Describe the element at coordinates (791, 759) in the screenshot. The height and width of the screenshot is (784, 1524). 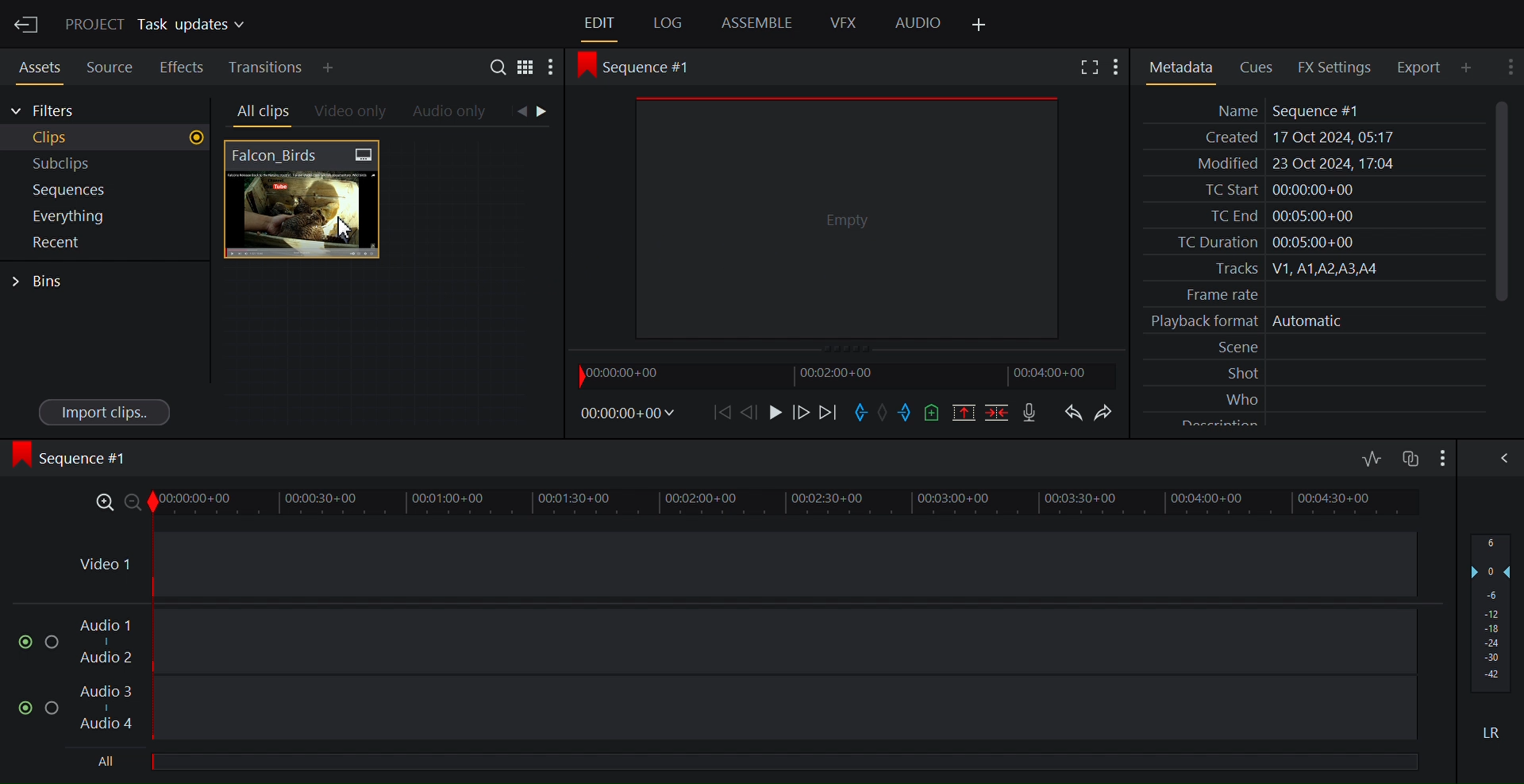
I see `All` at that location.